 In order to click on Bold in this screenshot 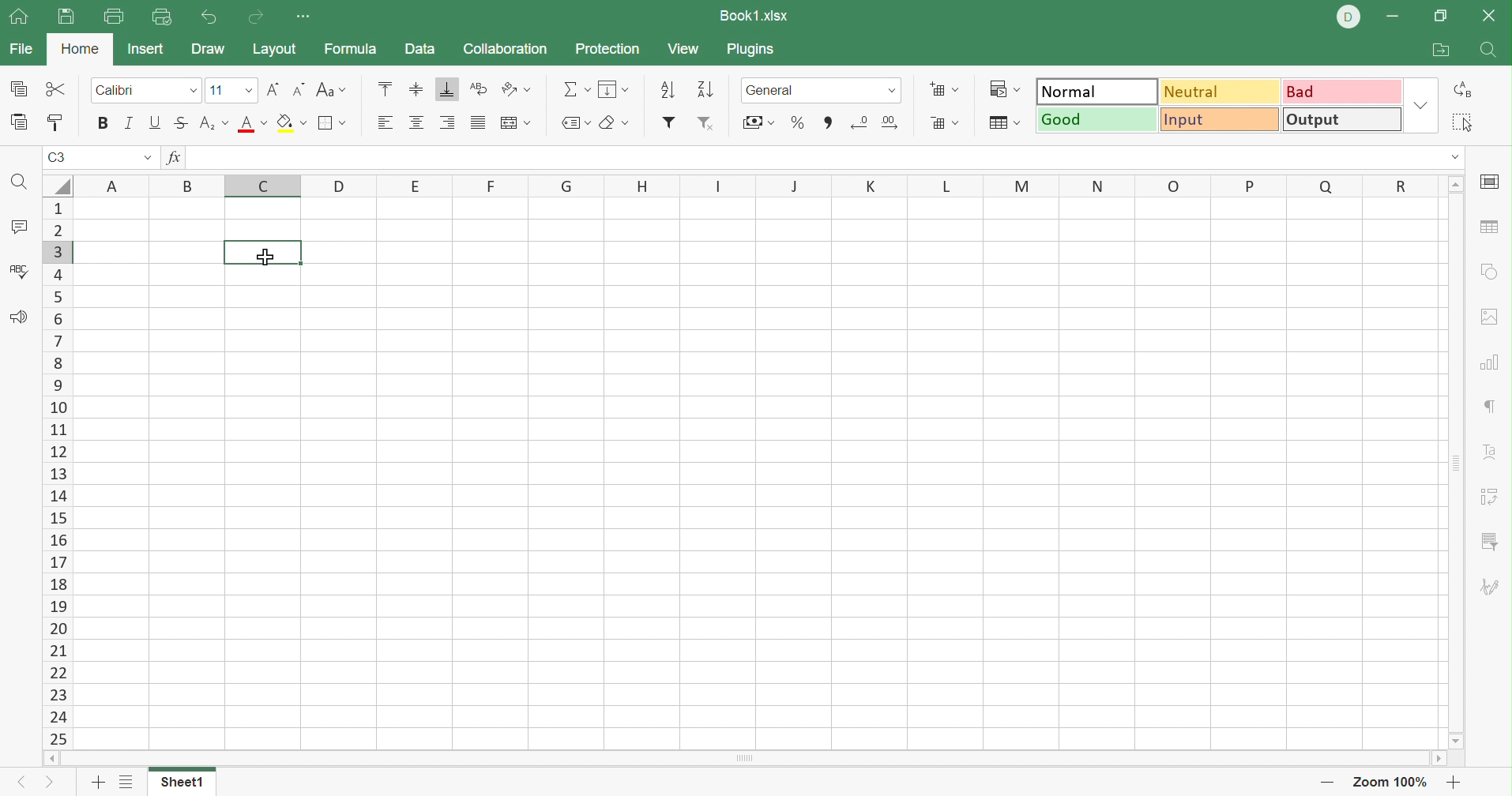, I will do `click(103, 123)`.